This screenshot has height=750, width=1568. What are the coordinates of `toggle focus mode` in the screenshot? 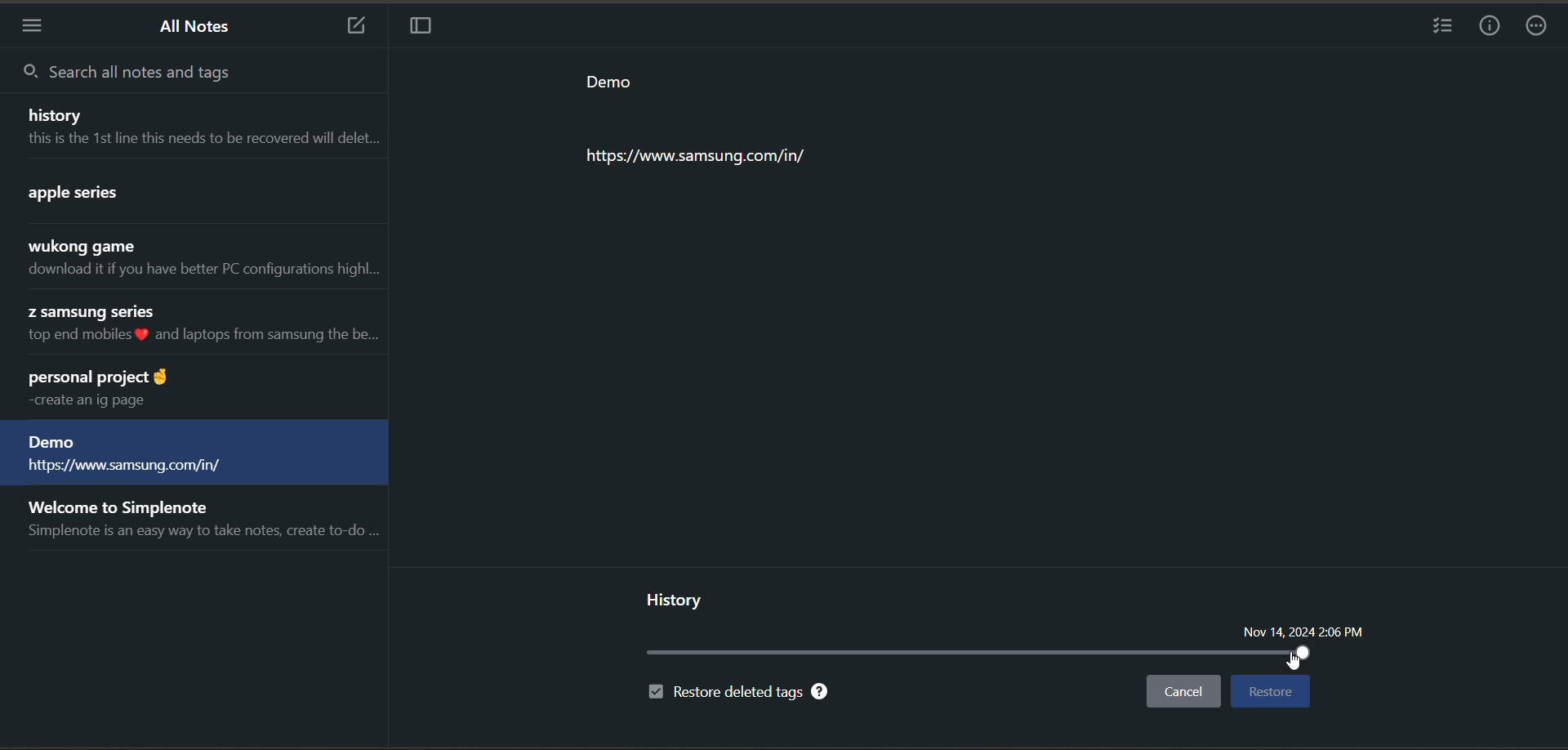 It's located at (419, 28).